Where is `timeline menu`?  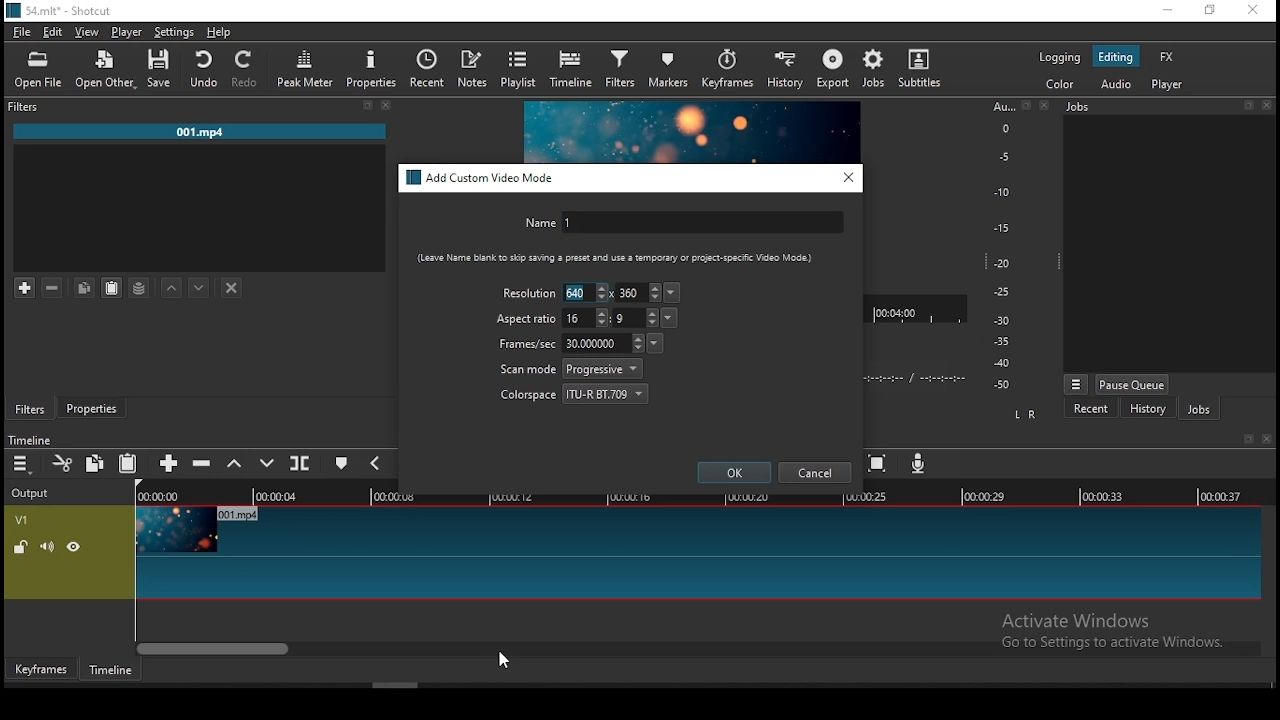
timeline menu is located at coordinates (24, 464).